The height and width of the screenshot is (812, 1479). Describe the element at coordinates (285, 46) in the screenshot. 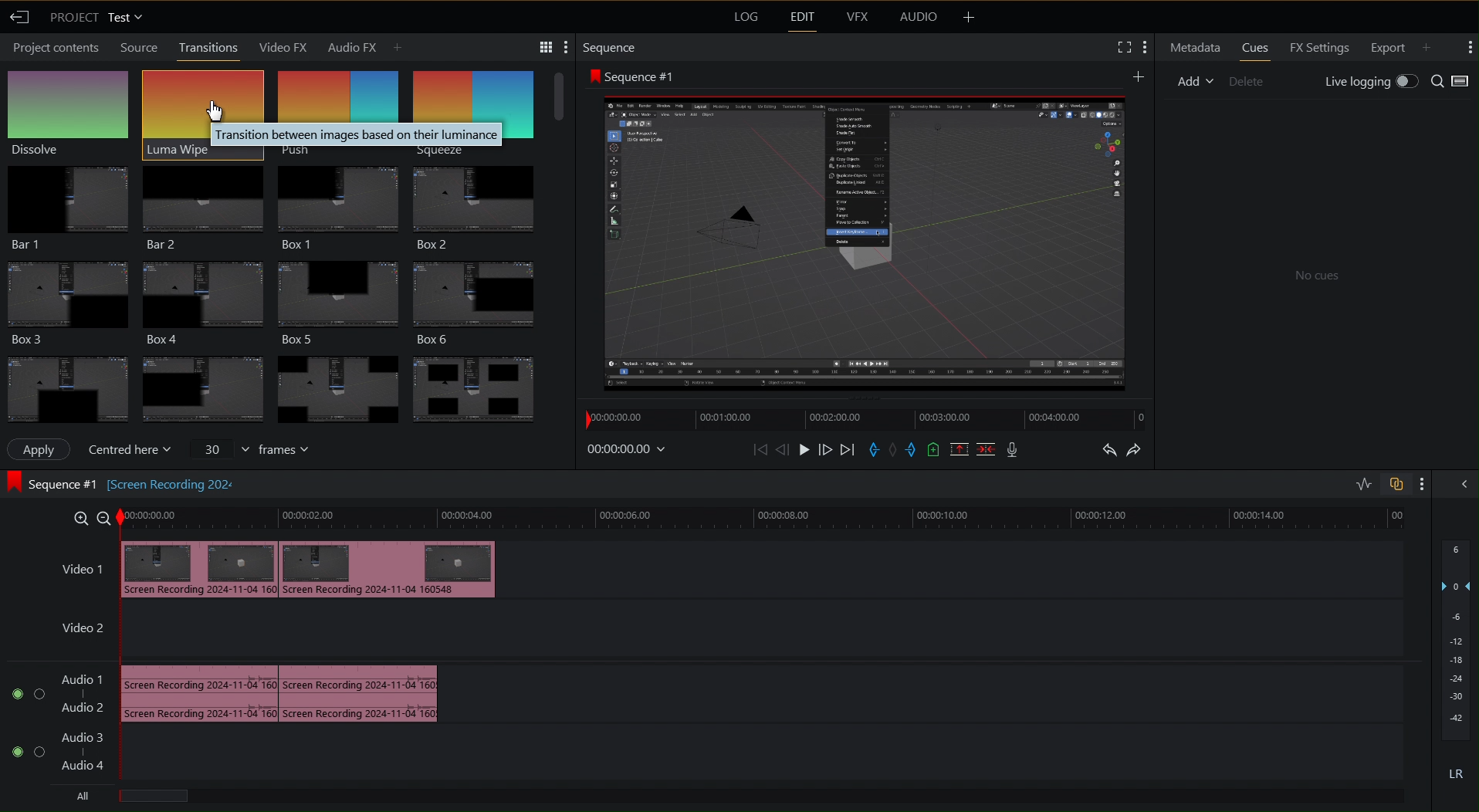

I see `Video FX` at that location.